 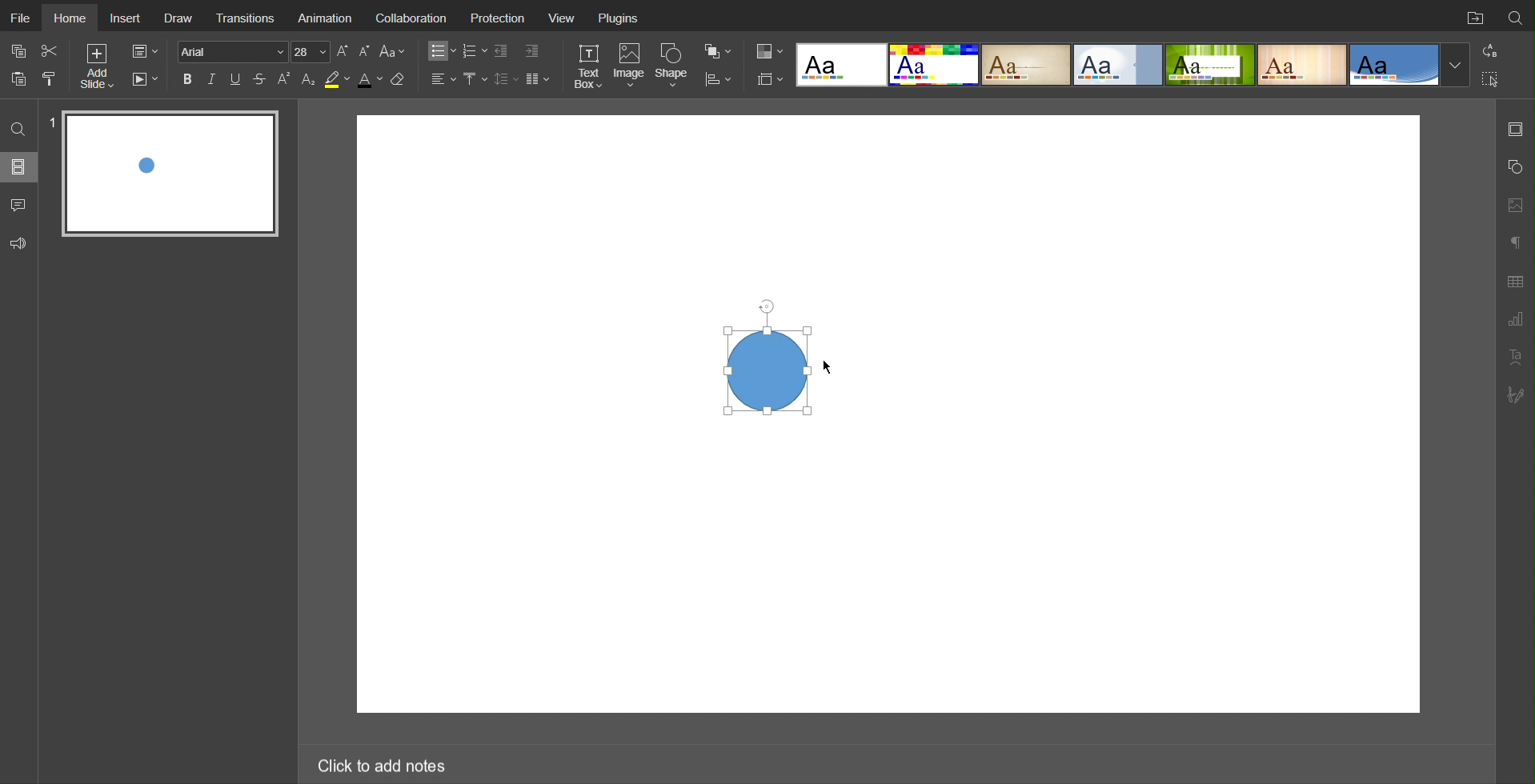 I want to click on copy, so click(x=22, y=53).